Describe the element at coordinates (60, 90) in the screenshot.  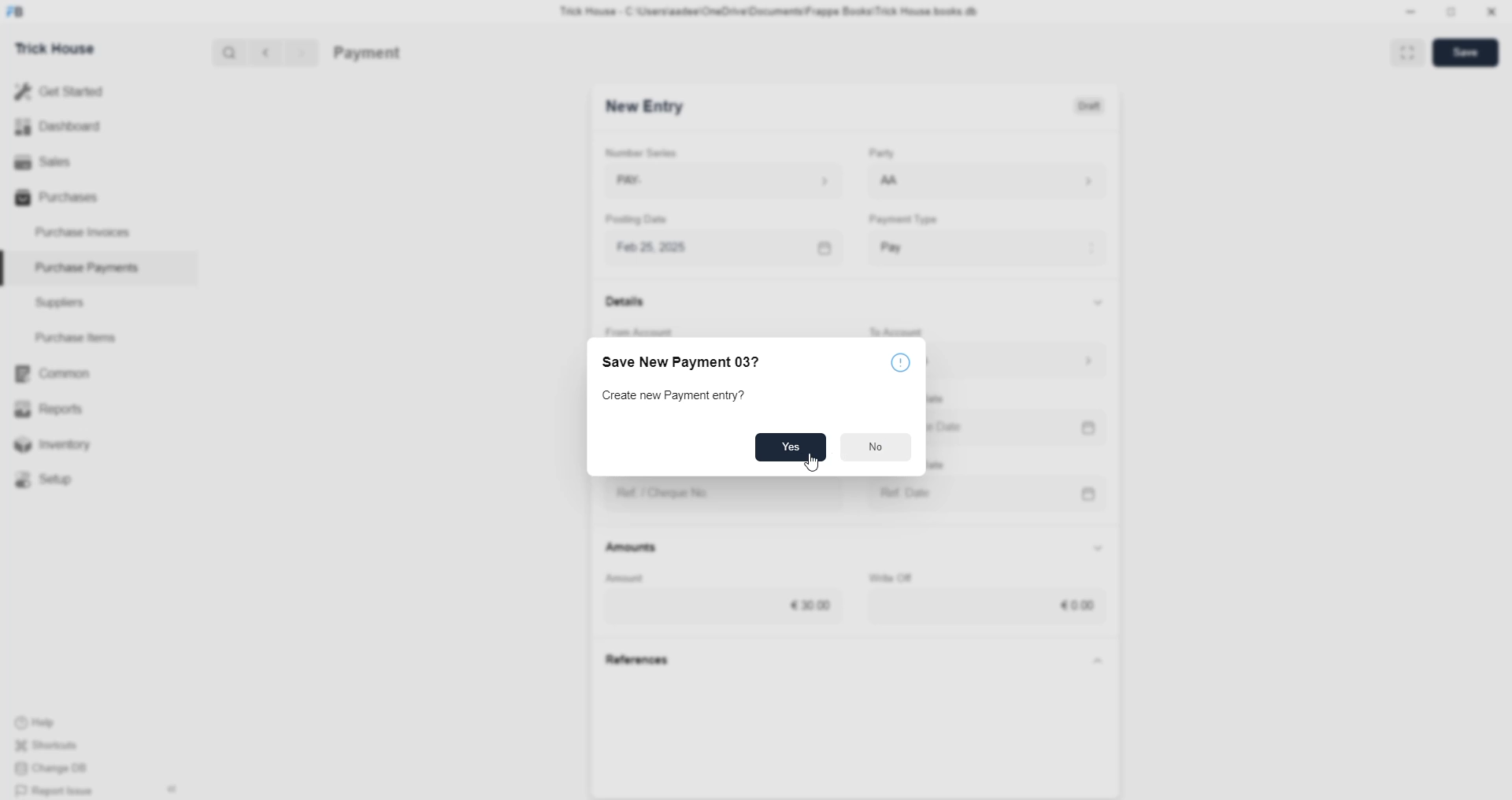
I see ` Get Started` at that location.